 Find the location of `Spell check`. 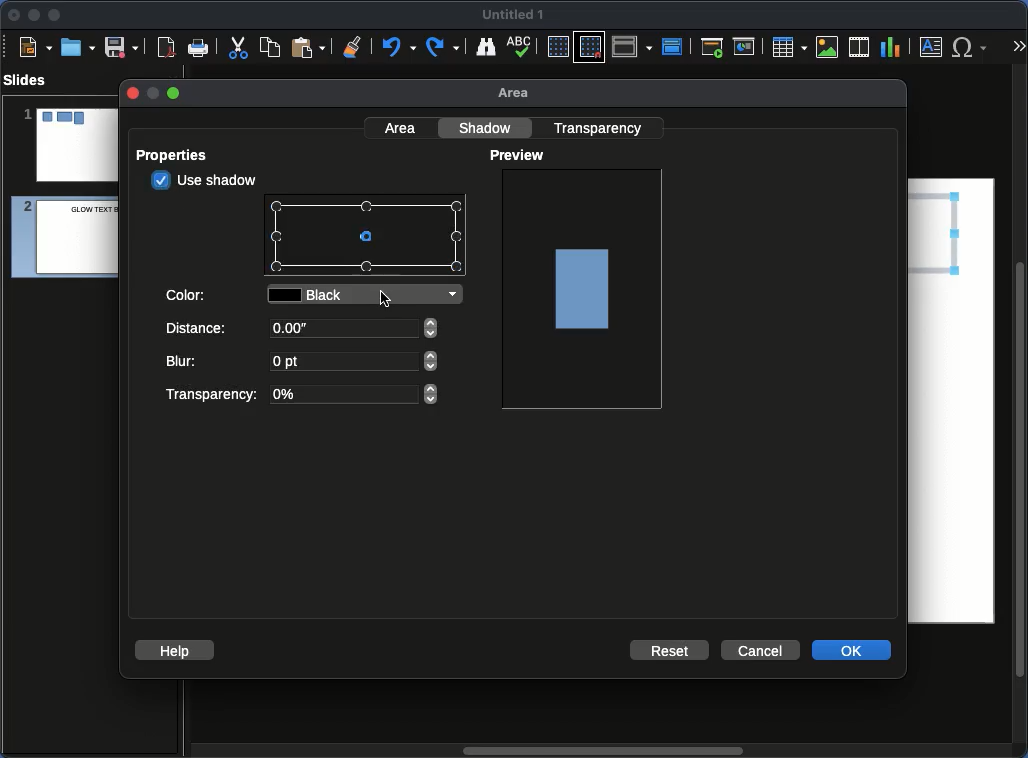

Spell check is located at coordinates (521, 48).